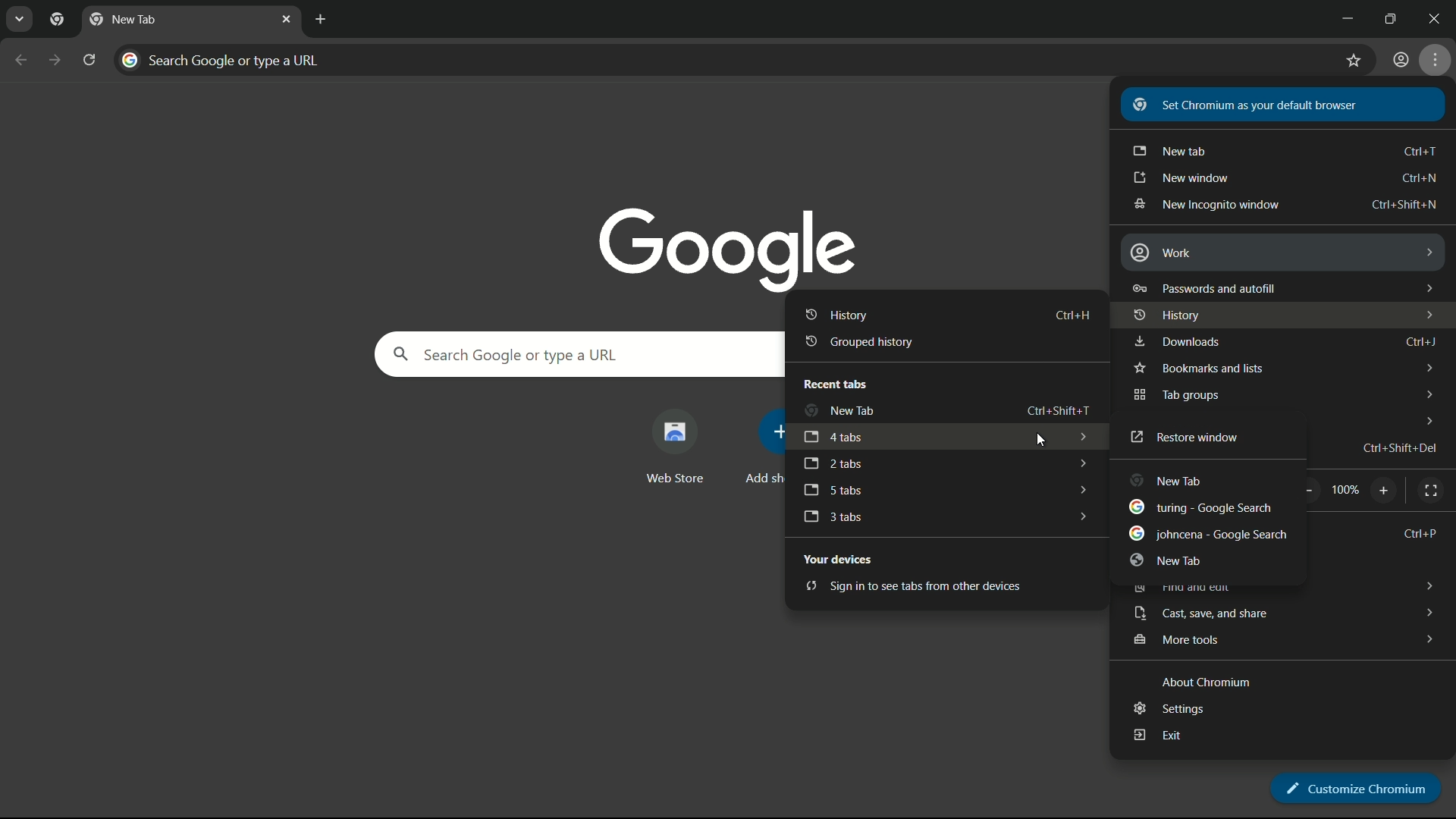 This screenshot has width=1456, height=819. I want to click on shortcut key, so click(1398, 449).